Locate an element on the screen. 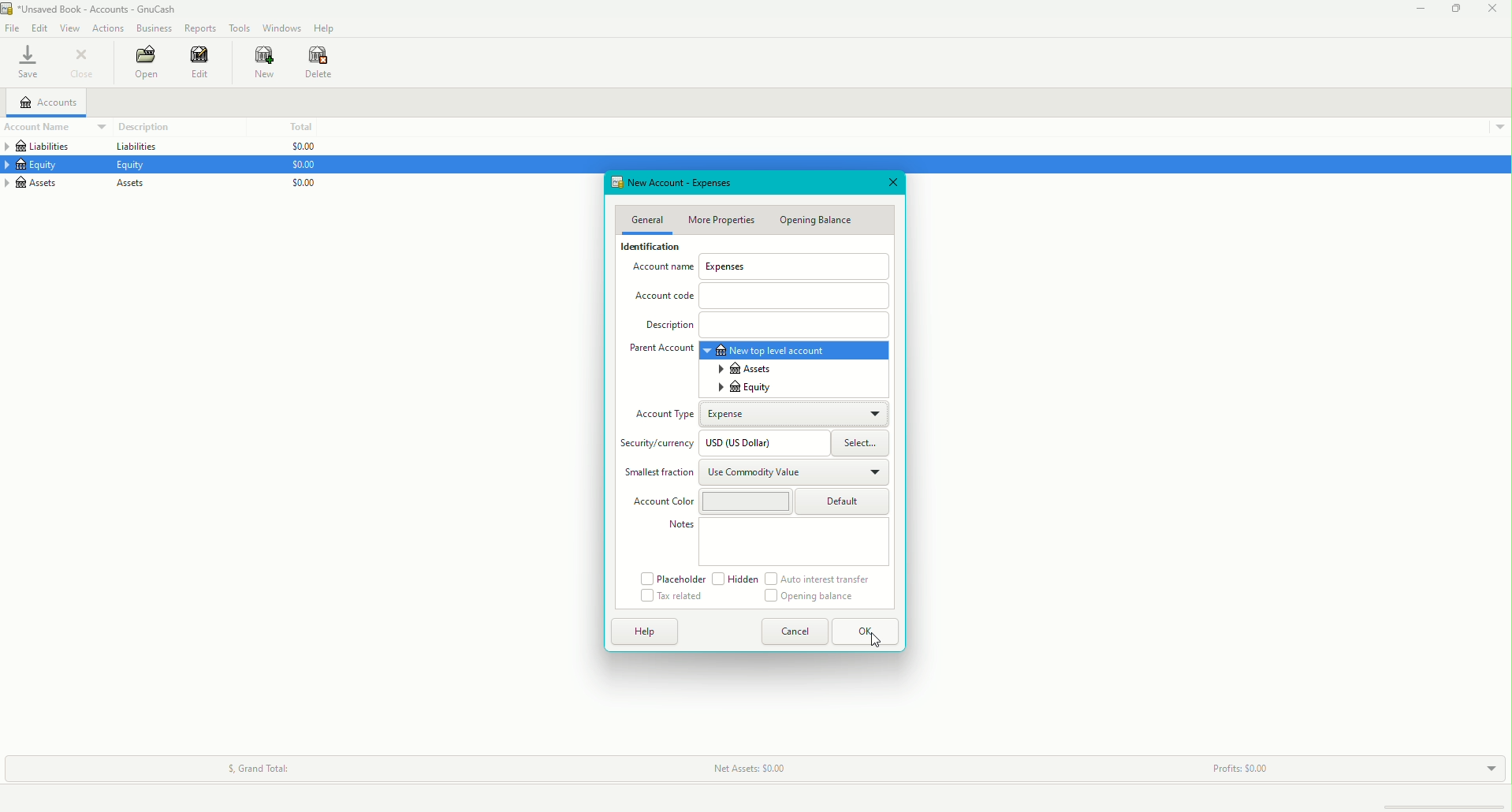  Help is located at coordinates (650, 633).